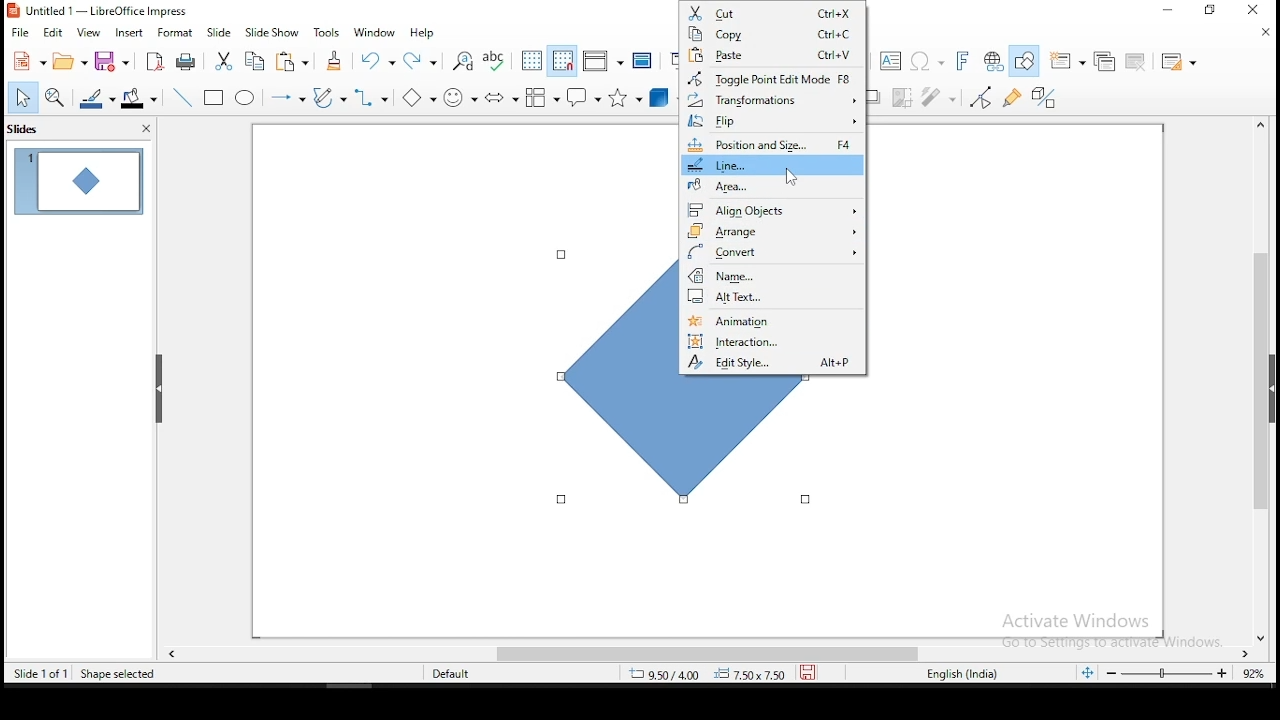  What do you see at coordinates (496, 59) in the screenshot?
I see `spell check` at bounding box center [496, 59].